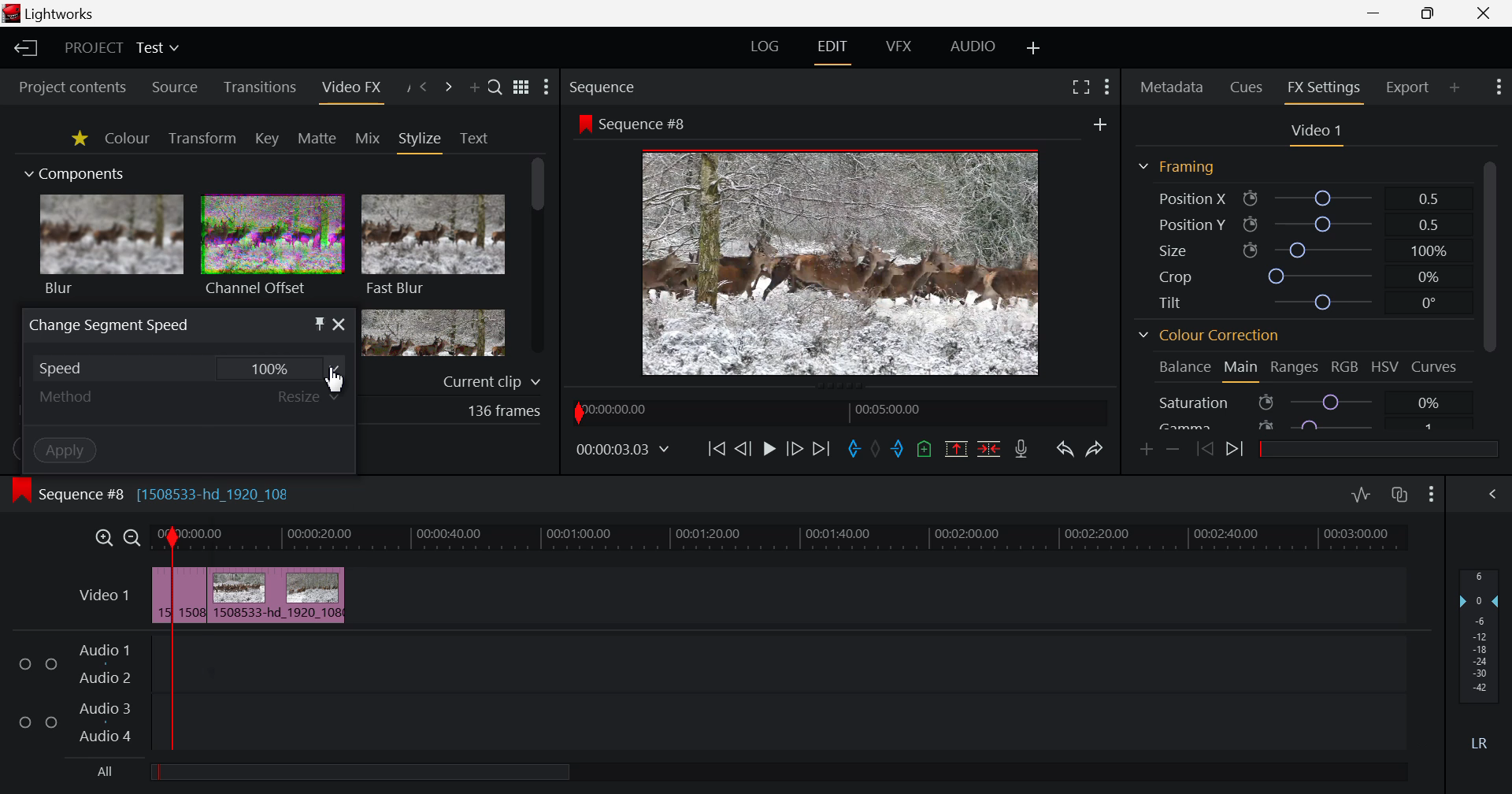 The image size is (1512, 794). I want to click on Text, so click(474, 139).